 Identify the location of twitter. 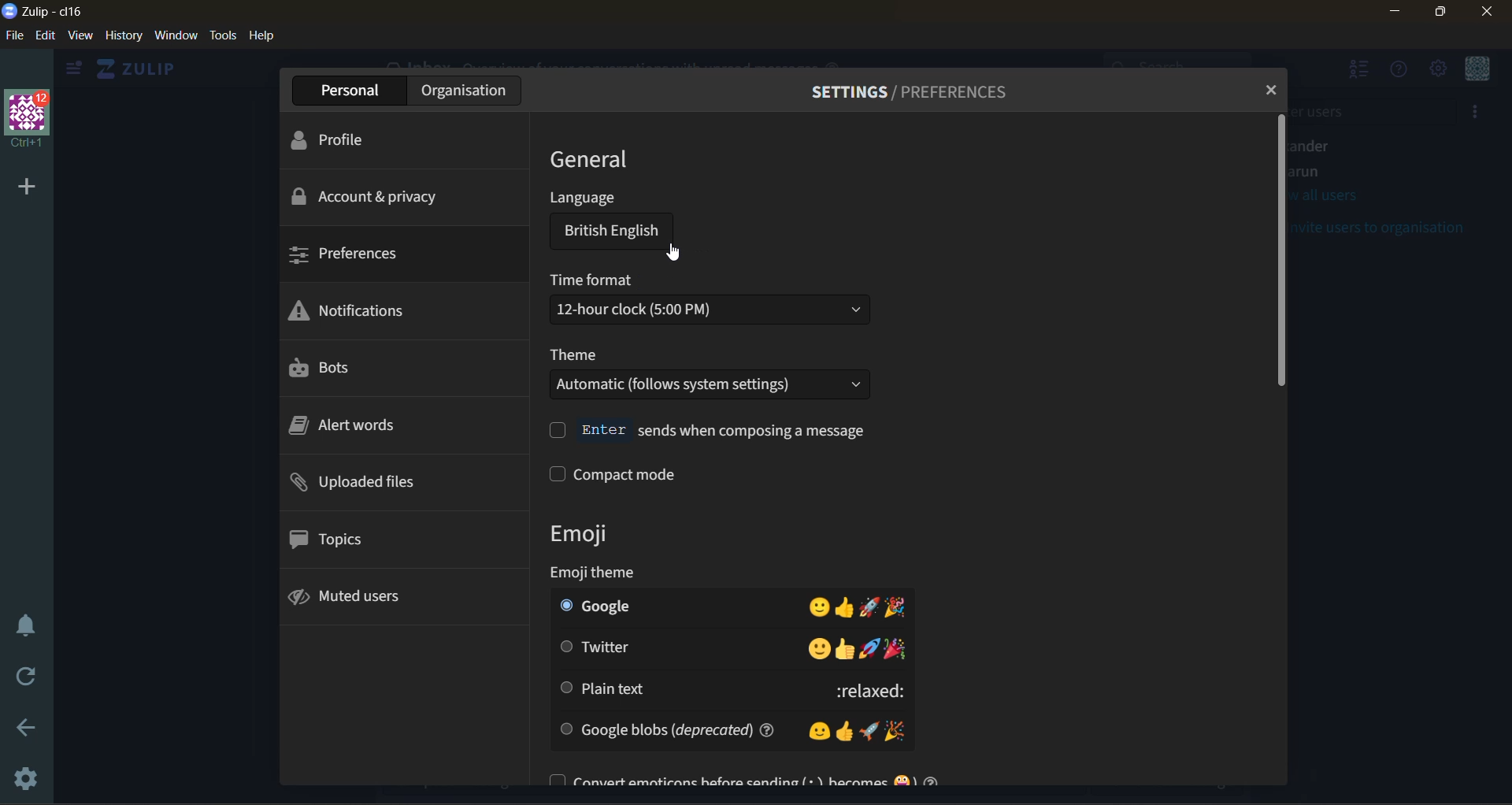
(724, 647).